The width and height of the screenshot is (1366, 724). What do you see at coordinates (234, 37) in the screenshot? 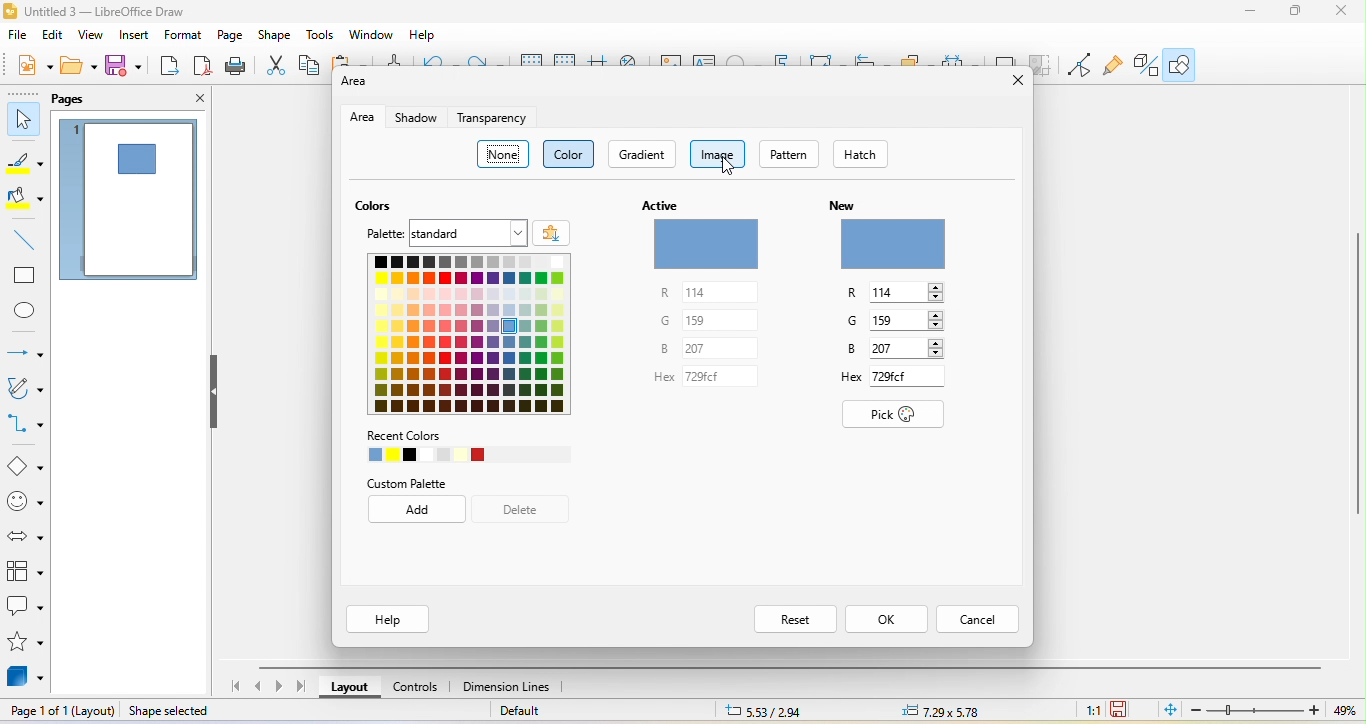
I see `page` at bounding box center [234, 37].